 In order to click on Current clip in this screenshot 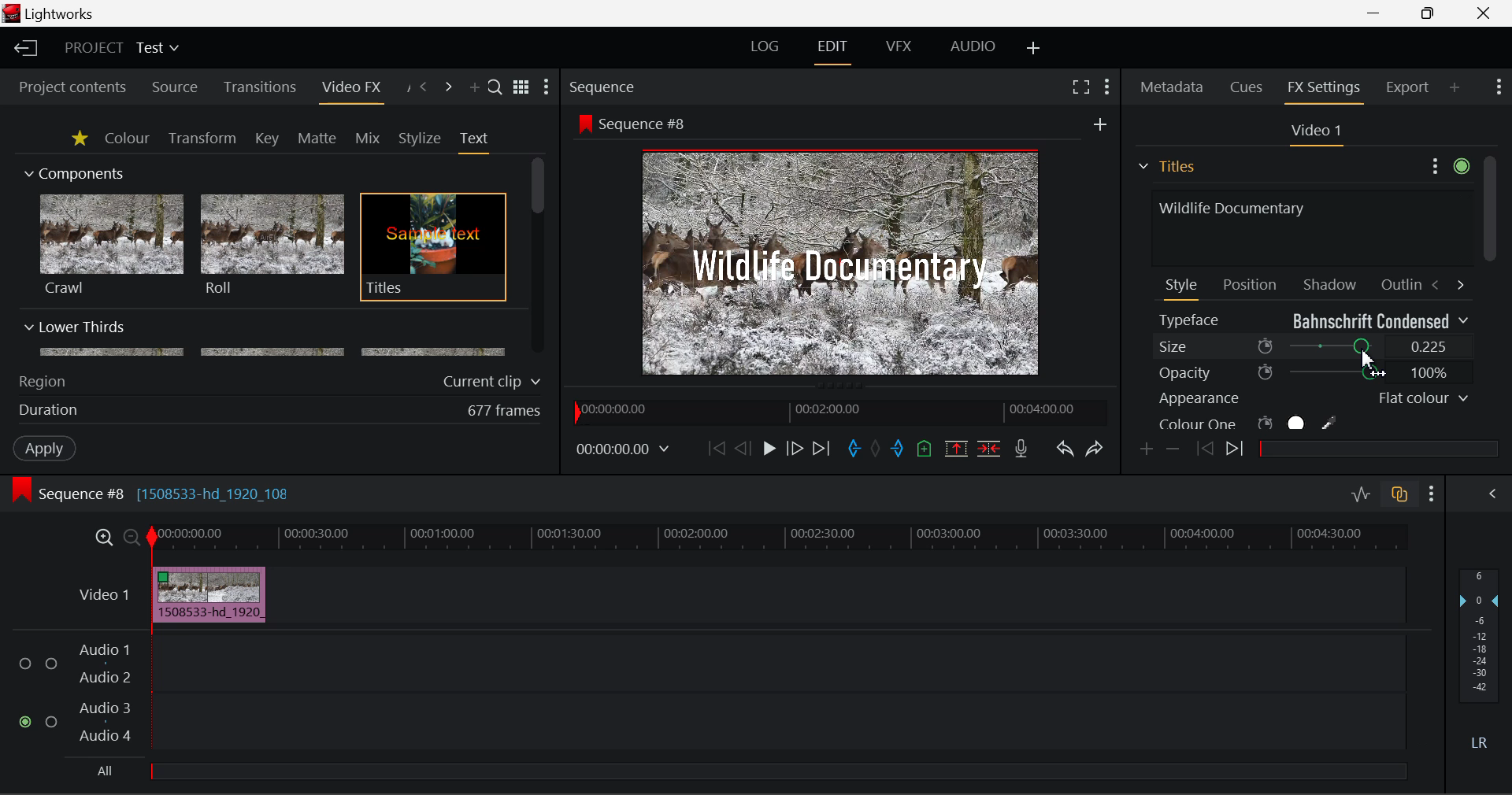, I will do `click(495, 382)`.